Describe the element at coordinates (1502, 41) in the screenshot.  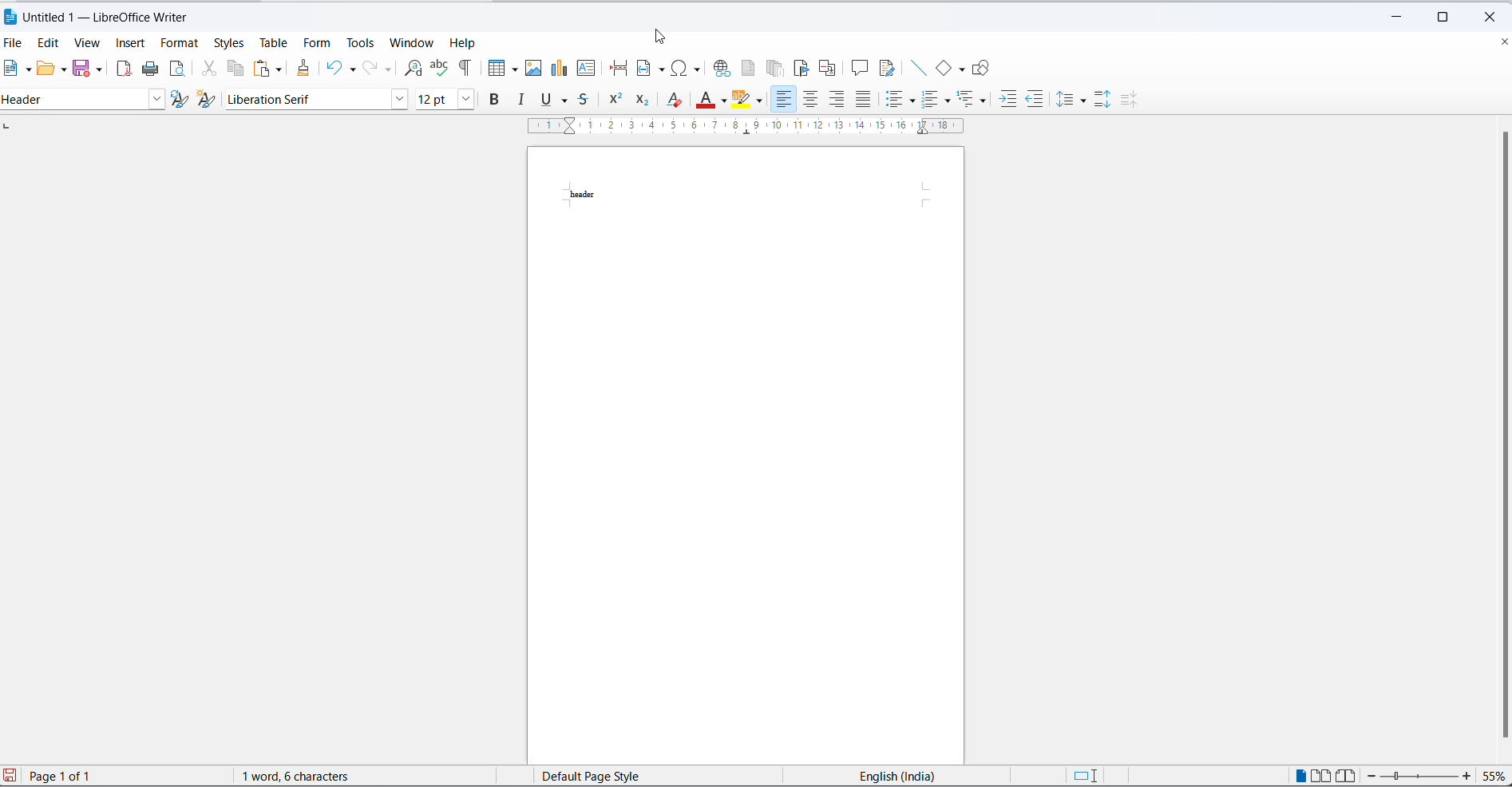
I see `close document` at that location.